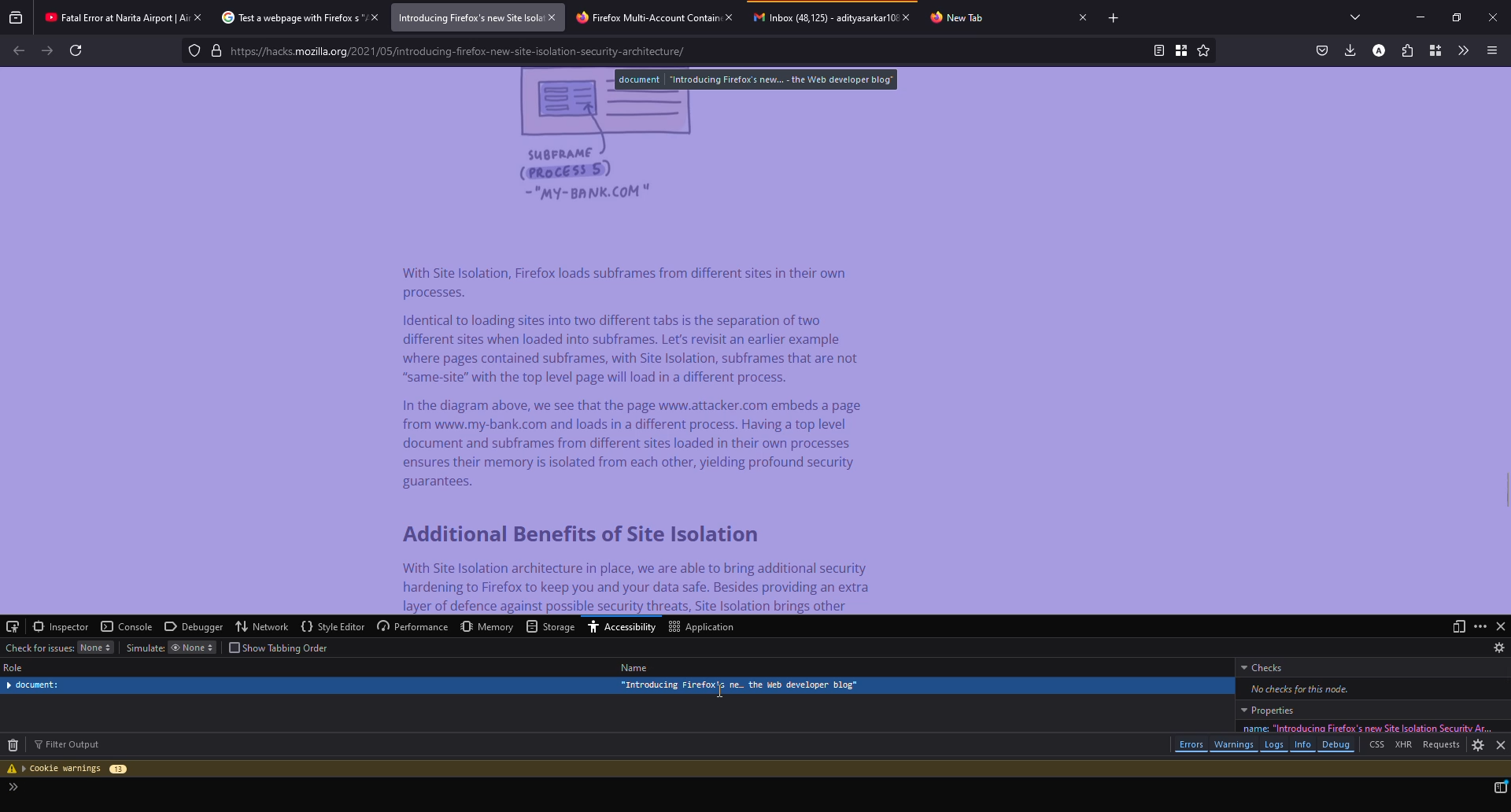  Describe the element at coordinates (1464, 50) in the screenshot. I see `more tools` at that location.